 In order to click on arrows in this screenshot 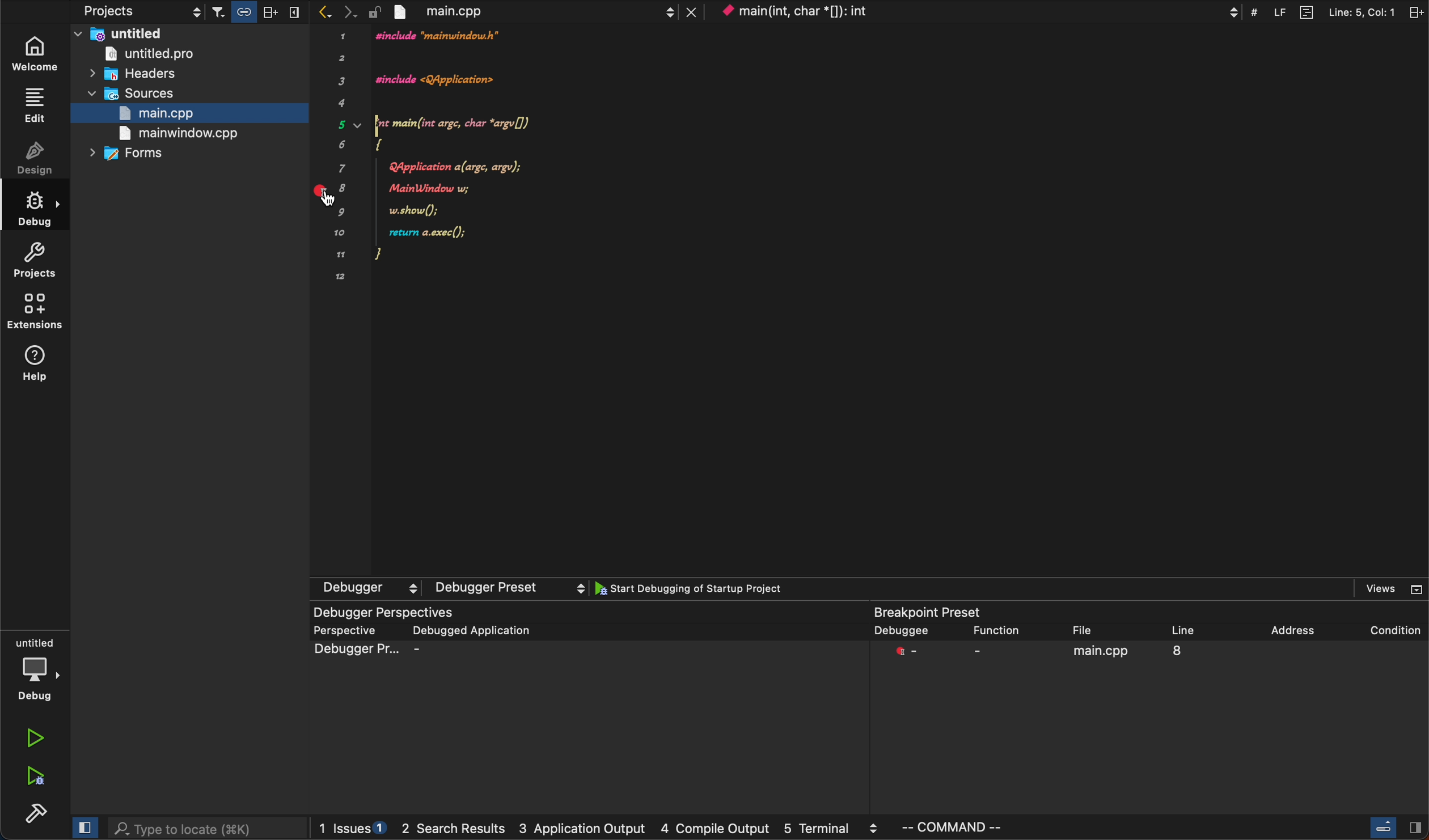, I will do `click(335, 12)`.